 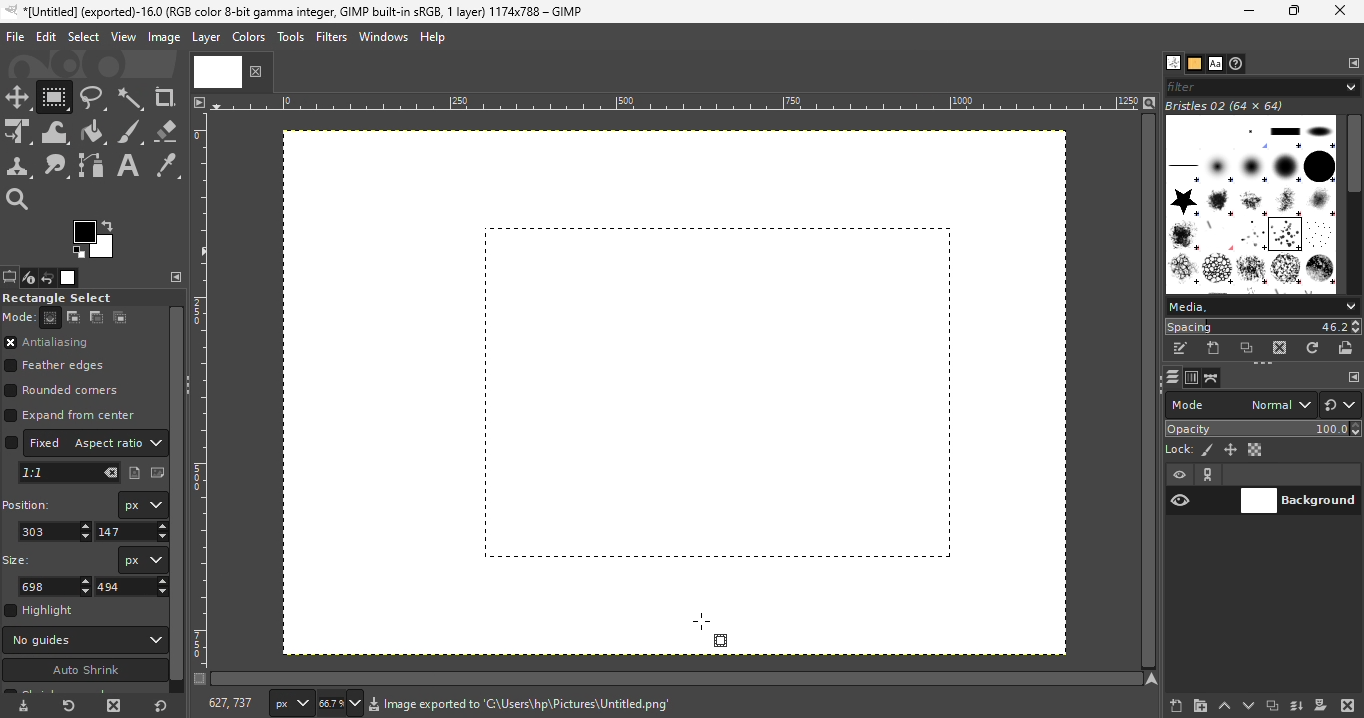 What do you see at coordinates (1313, 348) in the screenshot?
I see `Refresh brushes` at bounding box center [1313, 348].